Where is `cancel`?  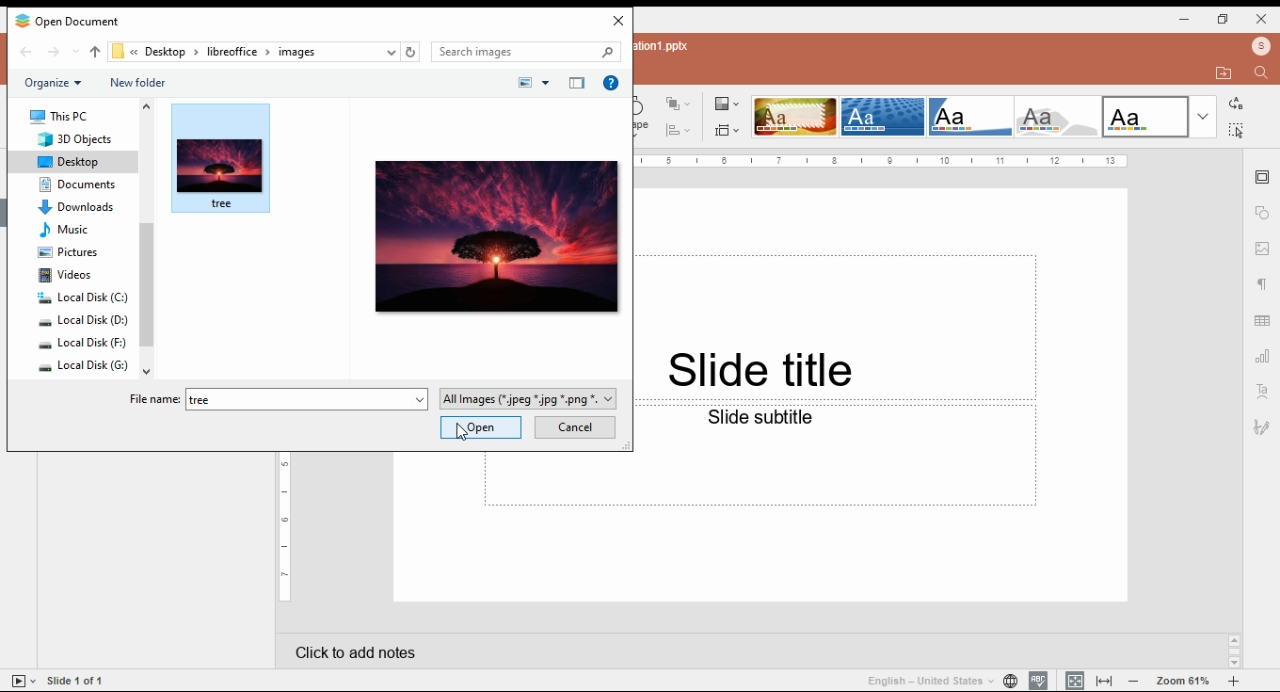 cancel is located at coordinates (574, 427).